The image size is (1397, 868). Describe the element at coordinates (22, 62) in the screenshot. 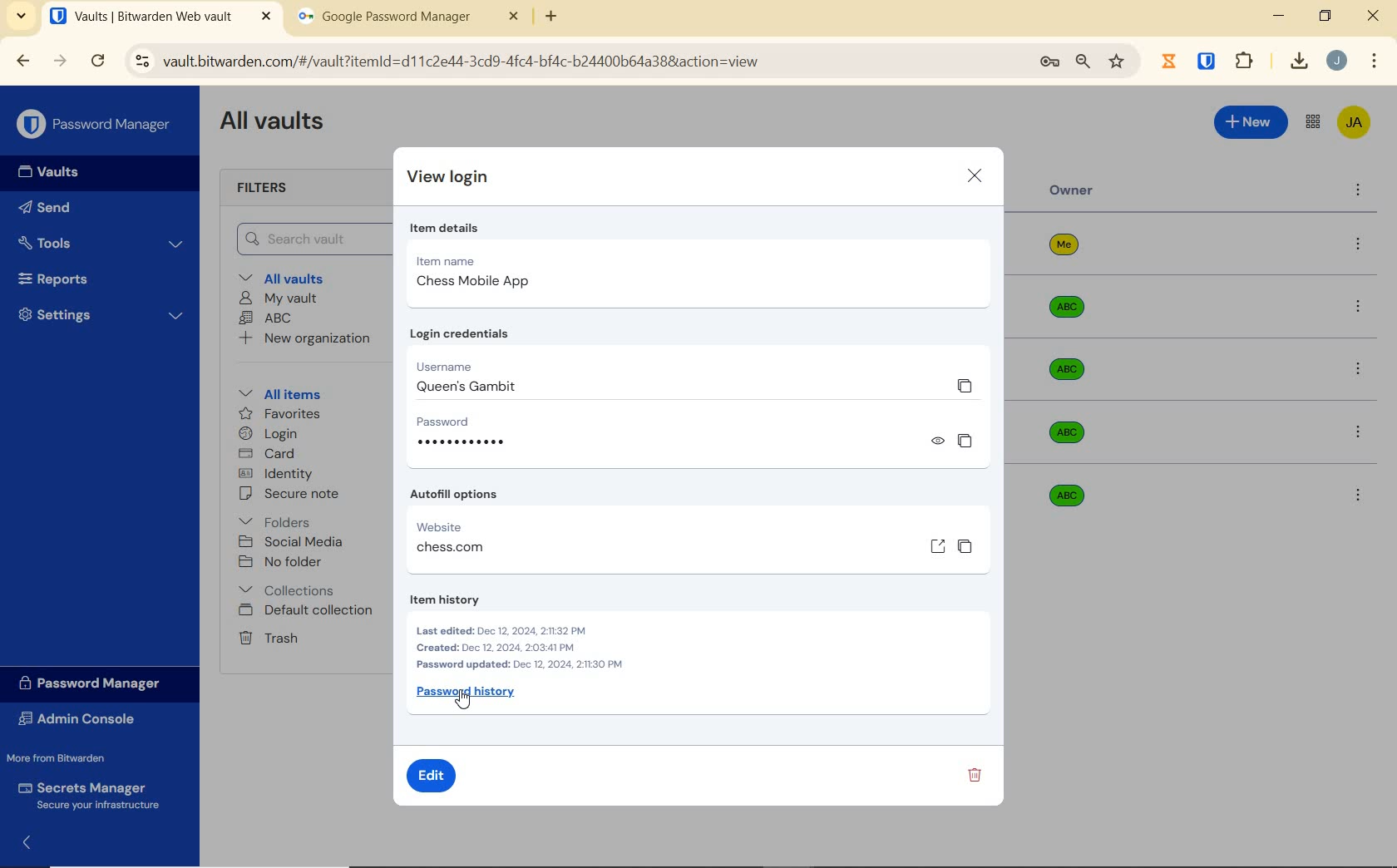

I see `backward` at that location.